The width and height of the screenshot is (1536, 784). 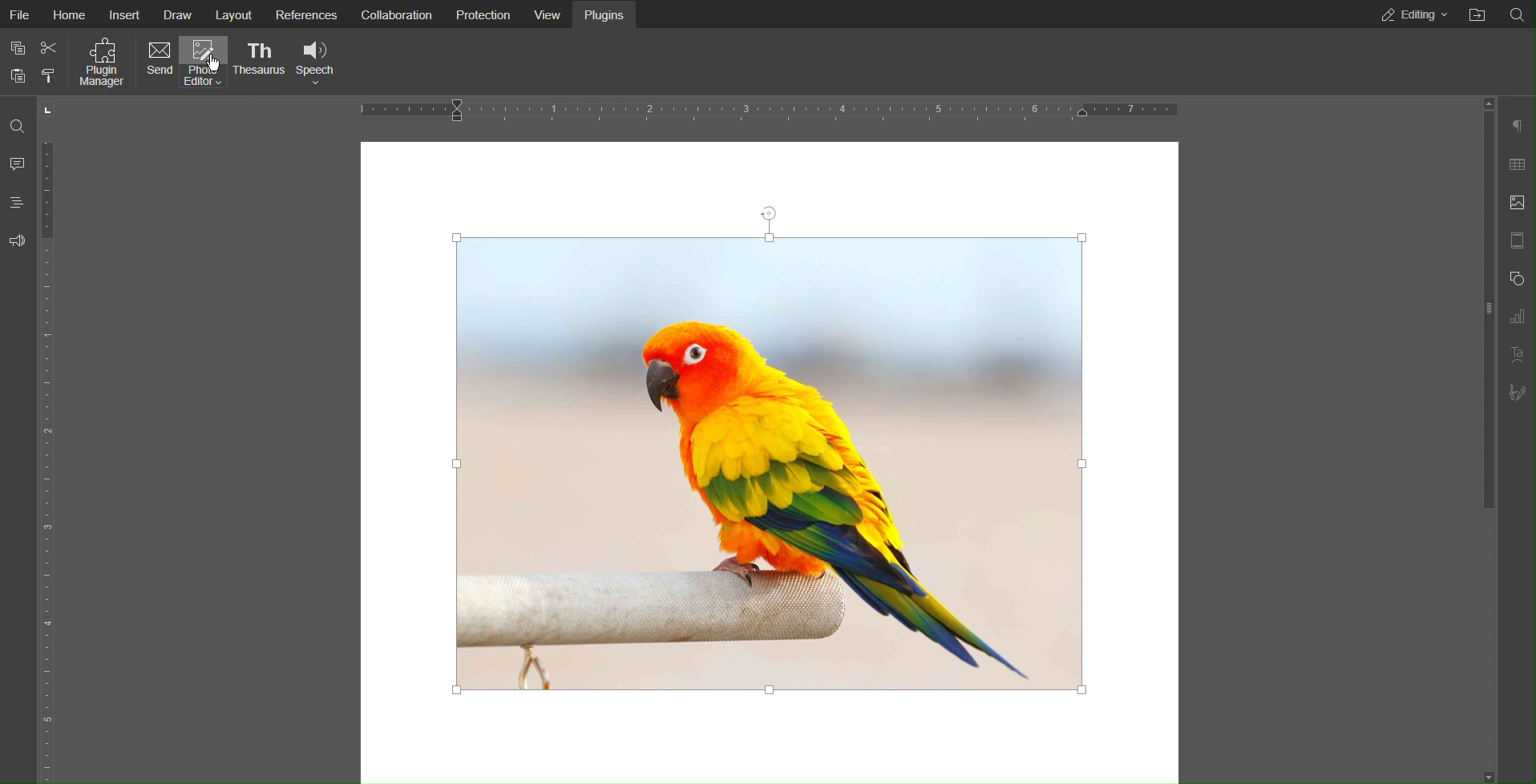 What do you see at coordinates (51, 44) in the screenshot?
I see `Cut` at bounding box center [51, 44].